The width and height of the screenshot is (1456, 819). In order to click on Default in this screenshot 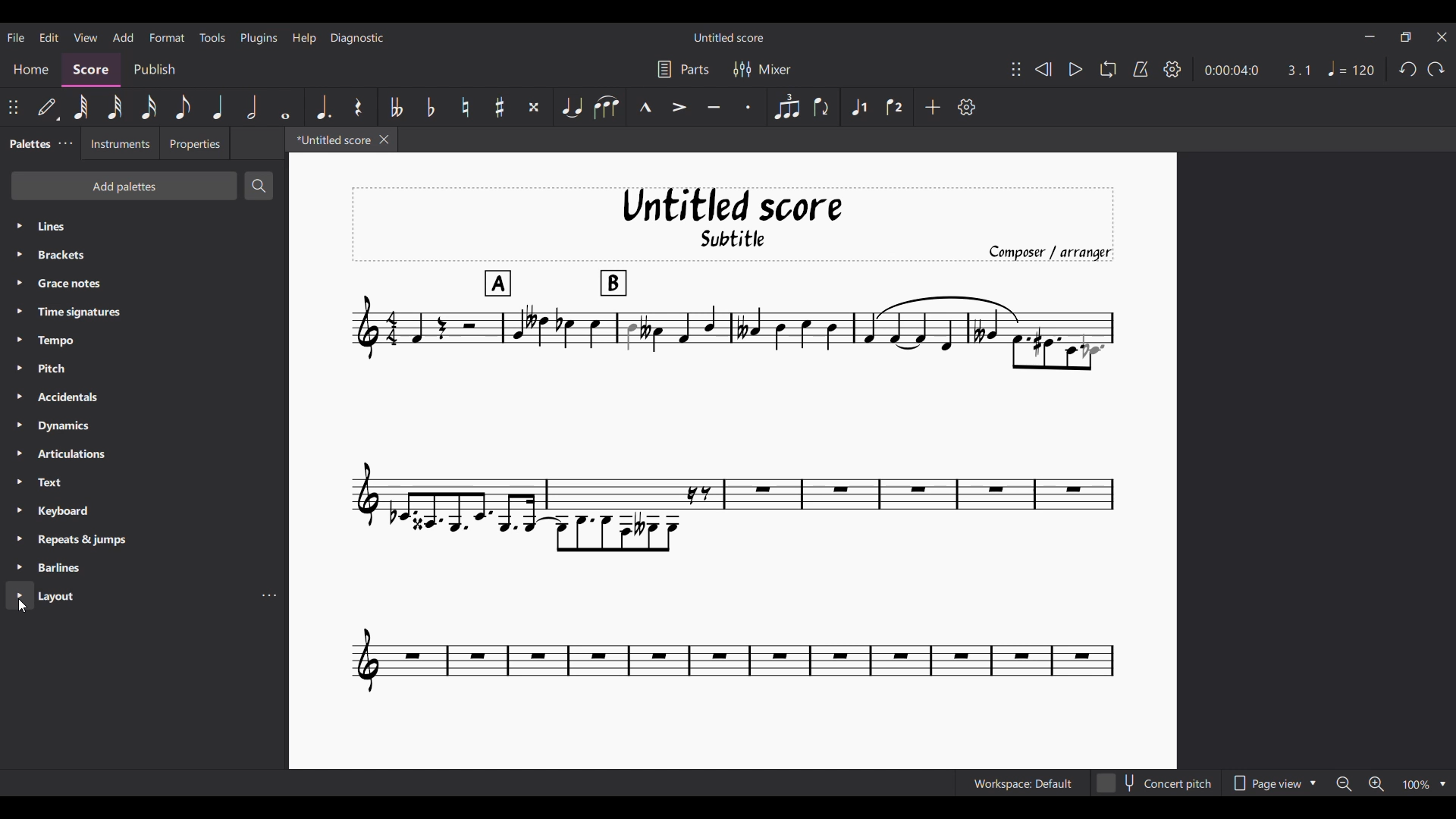, I will do `click(48, 107)`.